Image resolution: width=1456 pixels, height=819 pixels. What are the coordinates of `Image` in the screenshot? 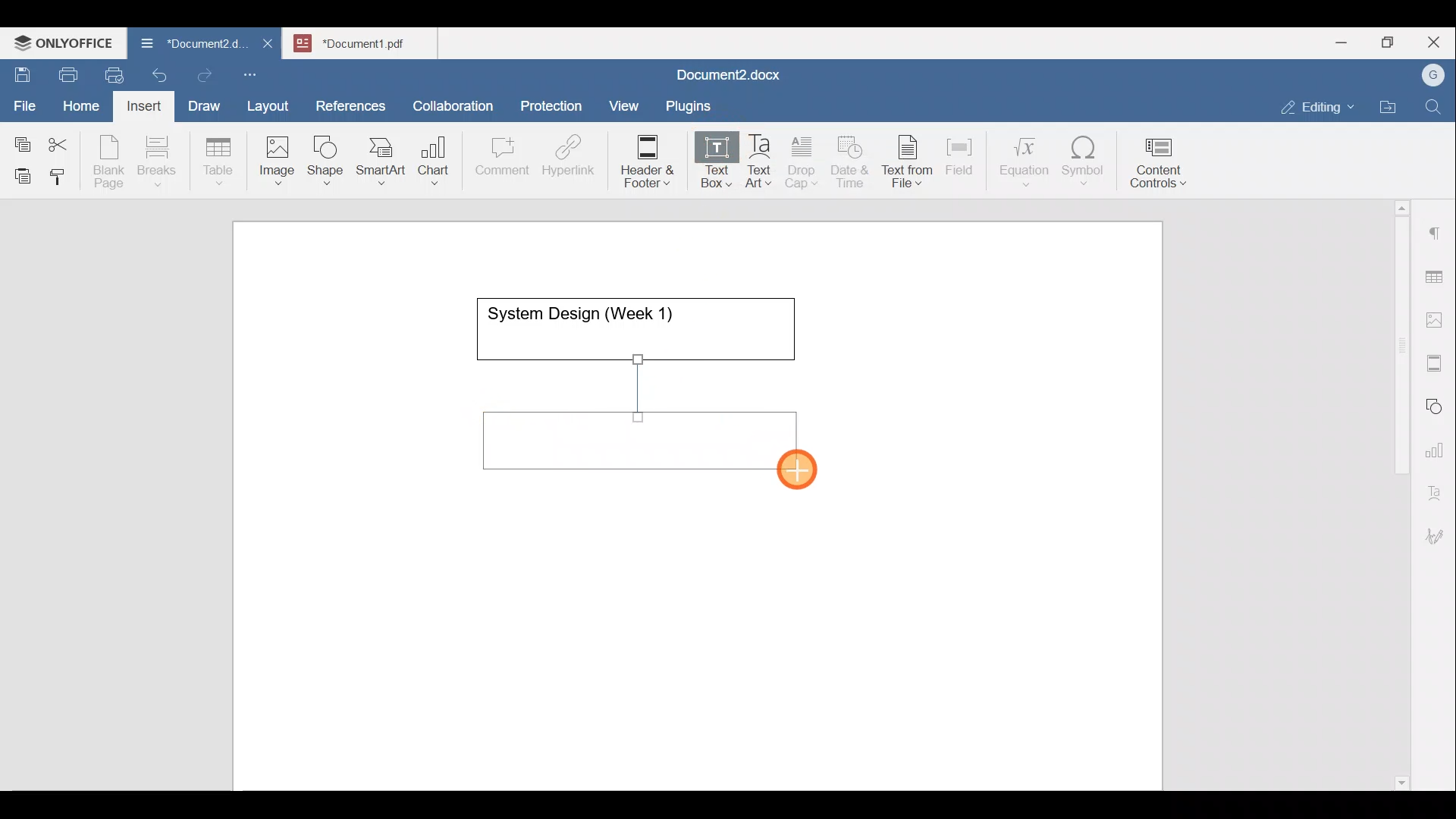 It's located at (281, 155).